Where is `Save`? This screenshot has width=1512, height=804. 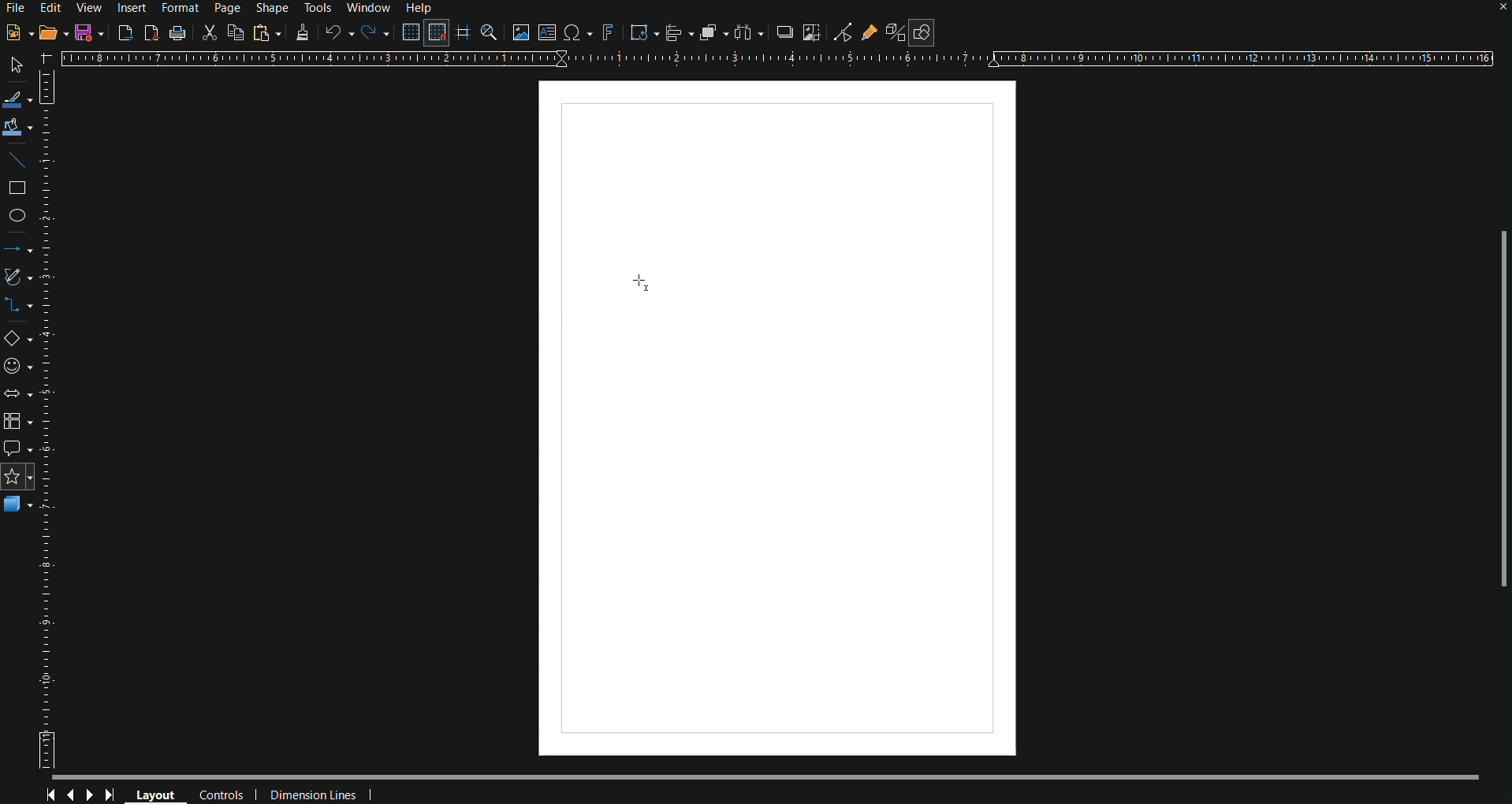
Save is located at coordinates (89, 32).